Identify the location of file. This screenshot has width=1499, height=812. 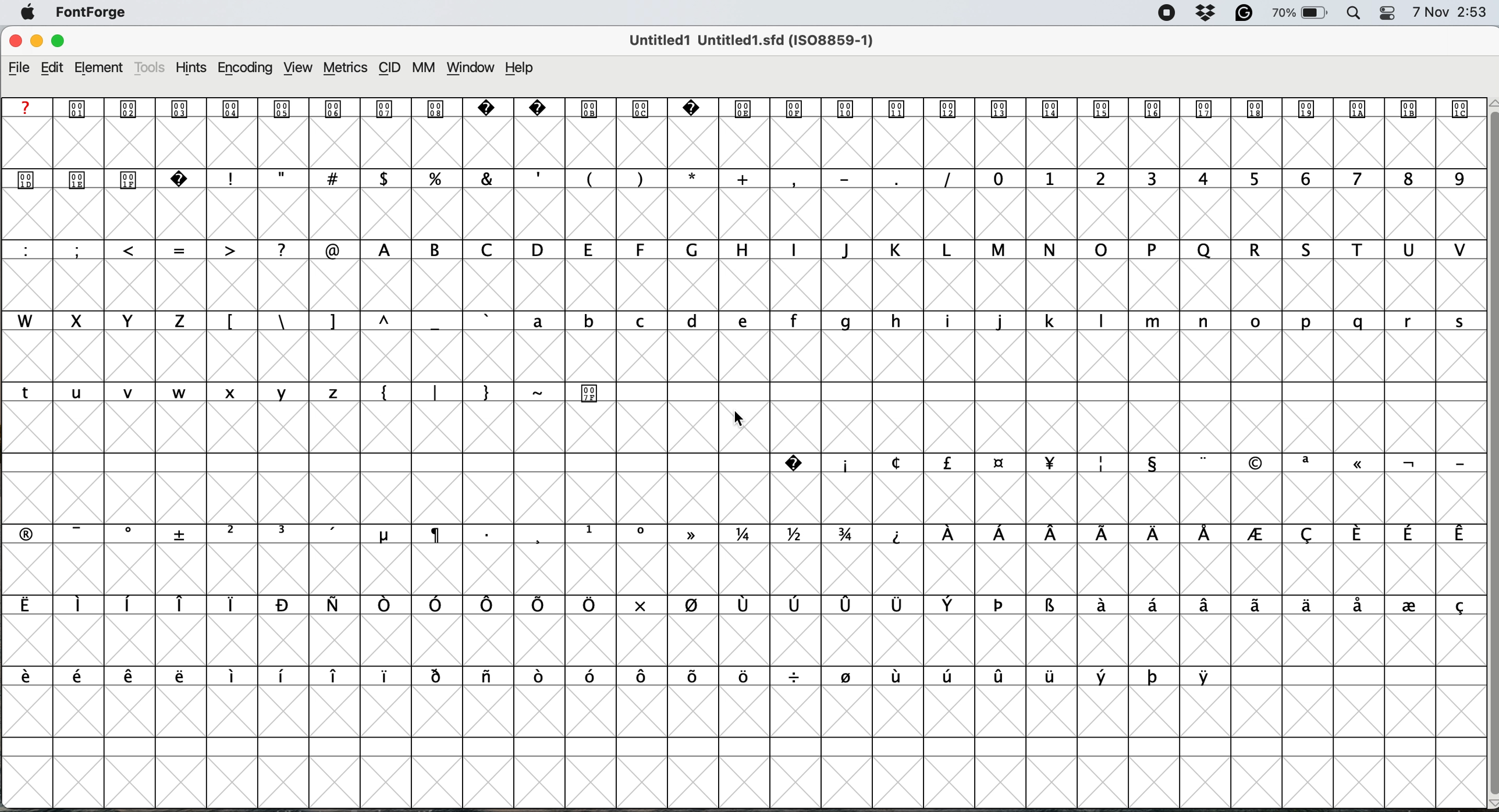
(22, 69).